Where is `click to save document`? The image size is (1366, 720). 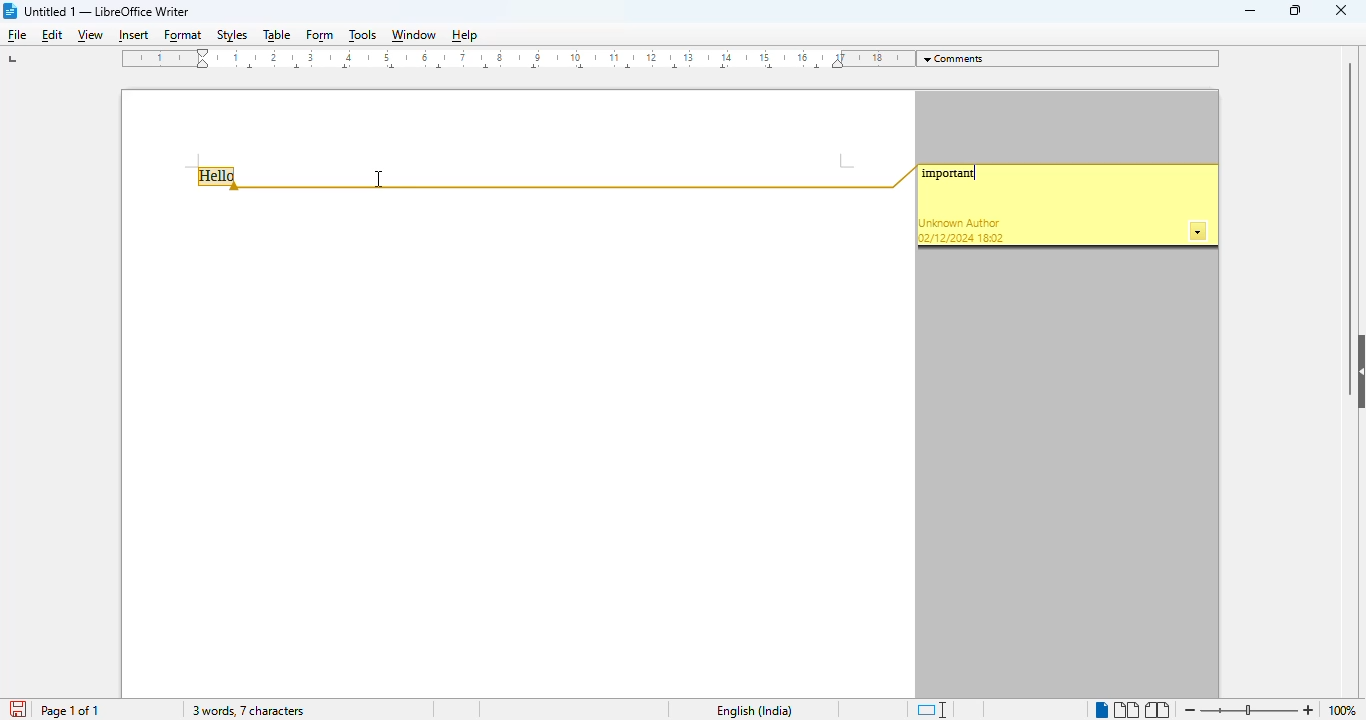 click to save document is located at coordinates (20, 710).